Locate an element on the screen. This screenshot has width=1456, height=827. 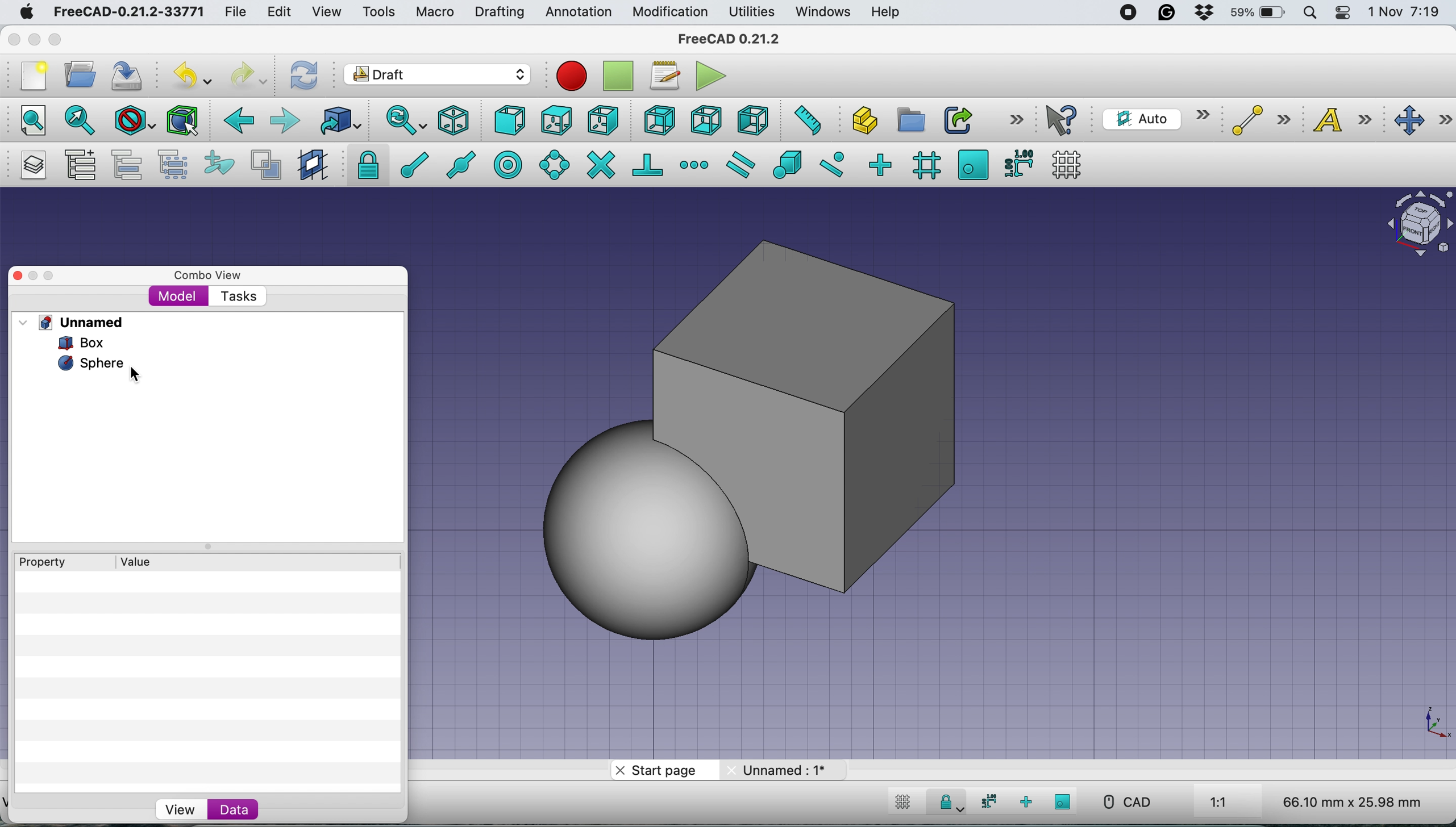
tasks is located at coordinates (237, 297).